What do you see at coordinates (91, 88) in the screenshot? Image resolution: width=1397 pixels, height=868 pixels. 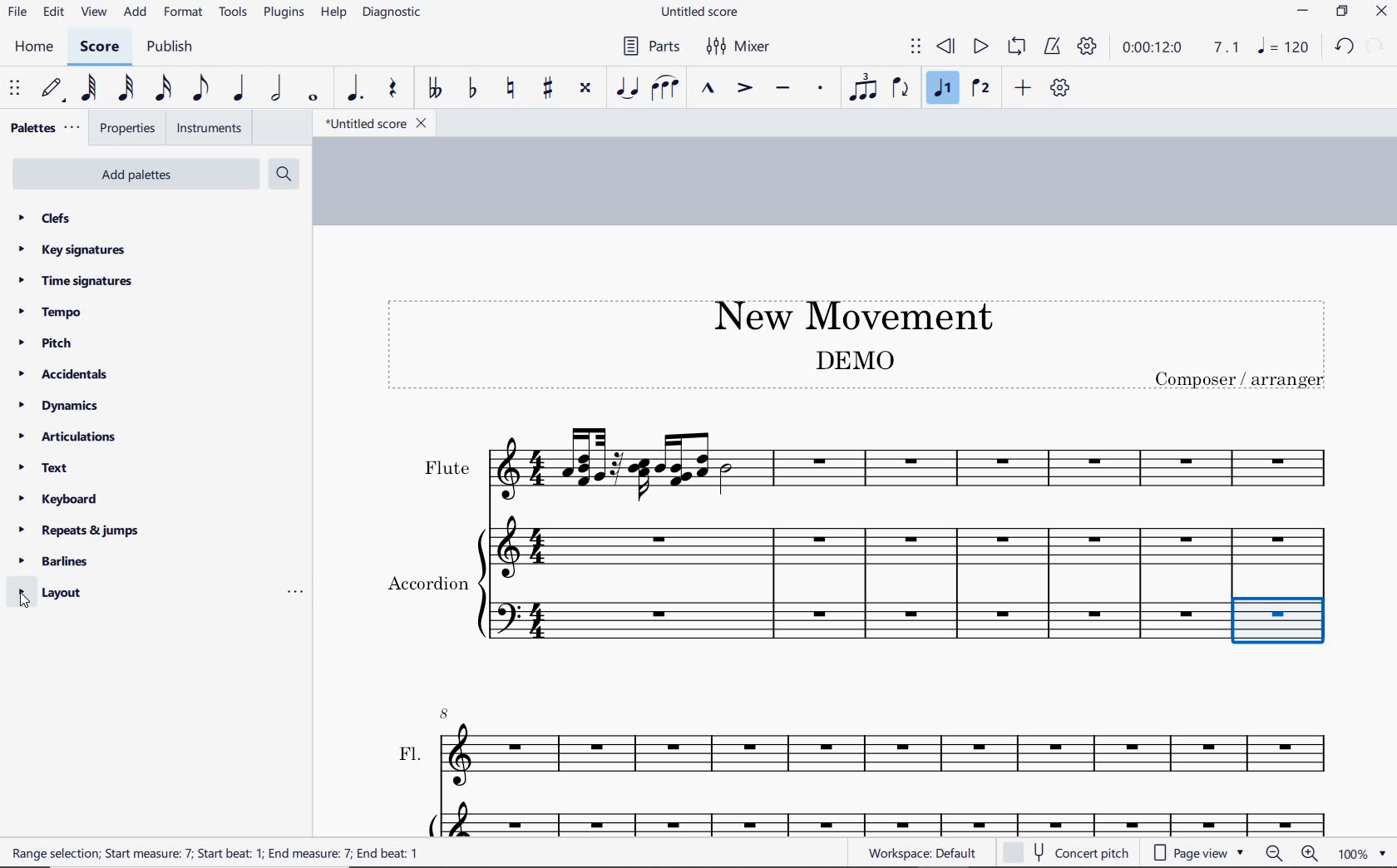 I see `64th note` at bounding box center [91, 88].